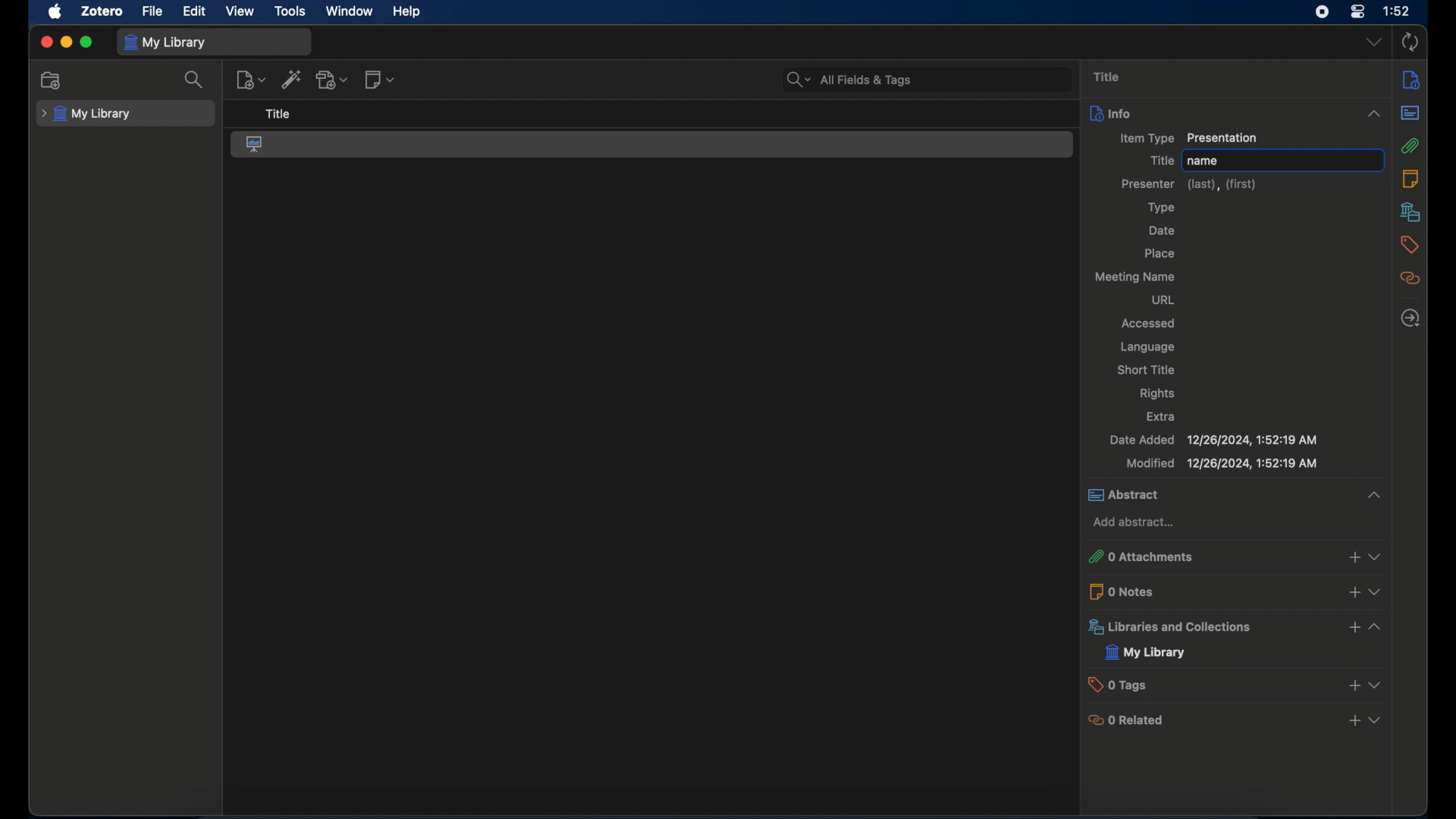 The height and width of the screenshot is (819, 1456). I want to click on libraries, so click(1237, 626).